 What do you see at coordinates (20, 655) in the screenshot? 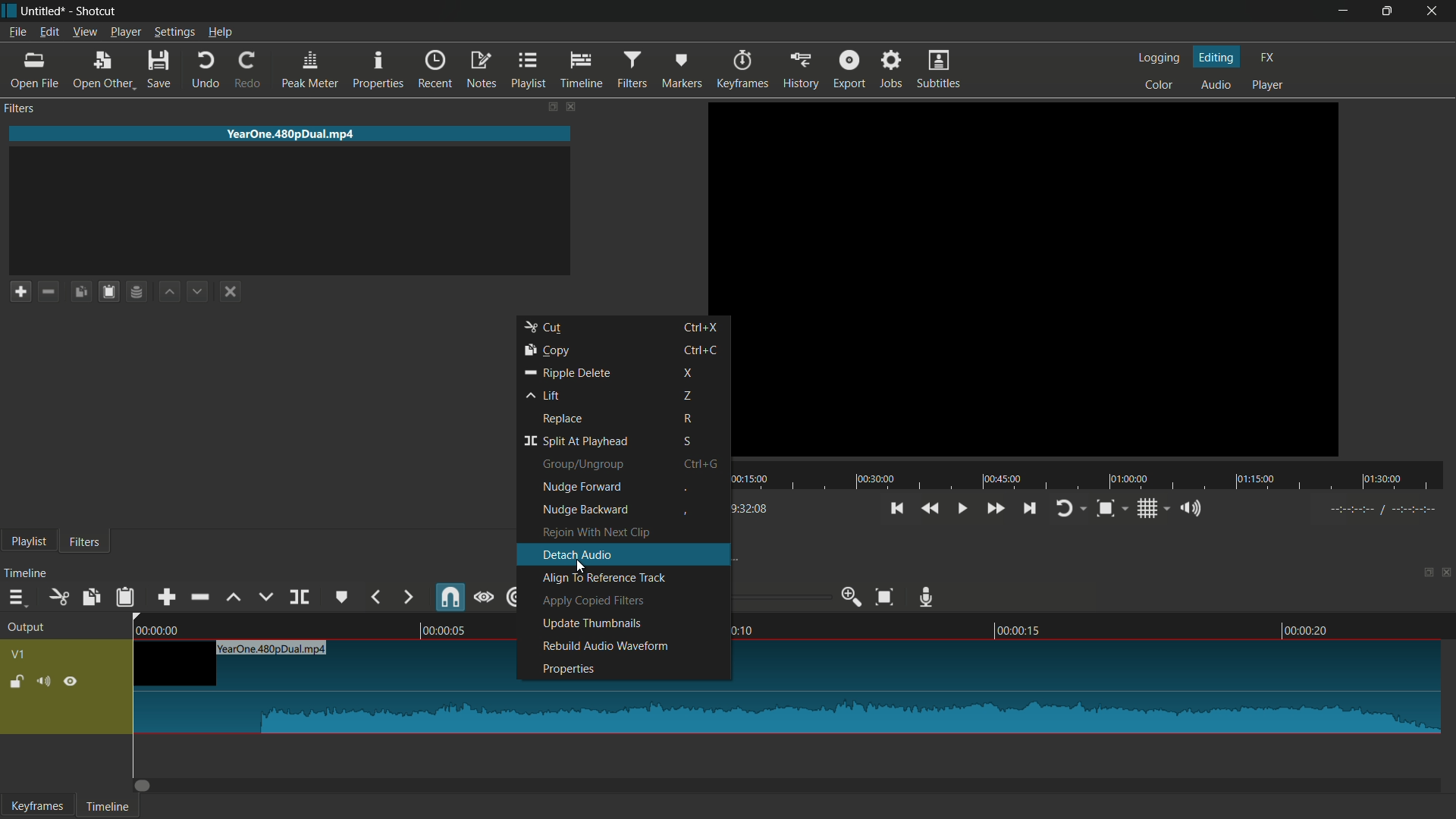
I see `v1` at bounding box center [20, 655].